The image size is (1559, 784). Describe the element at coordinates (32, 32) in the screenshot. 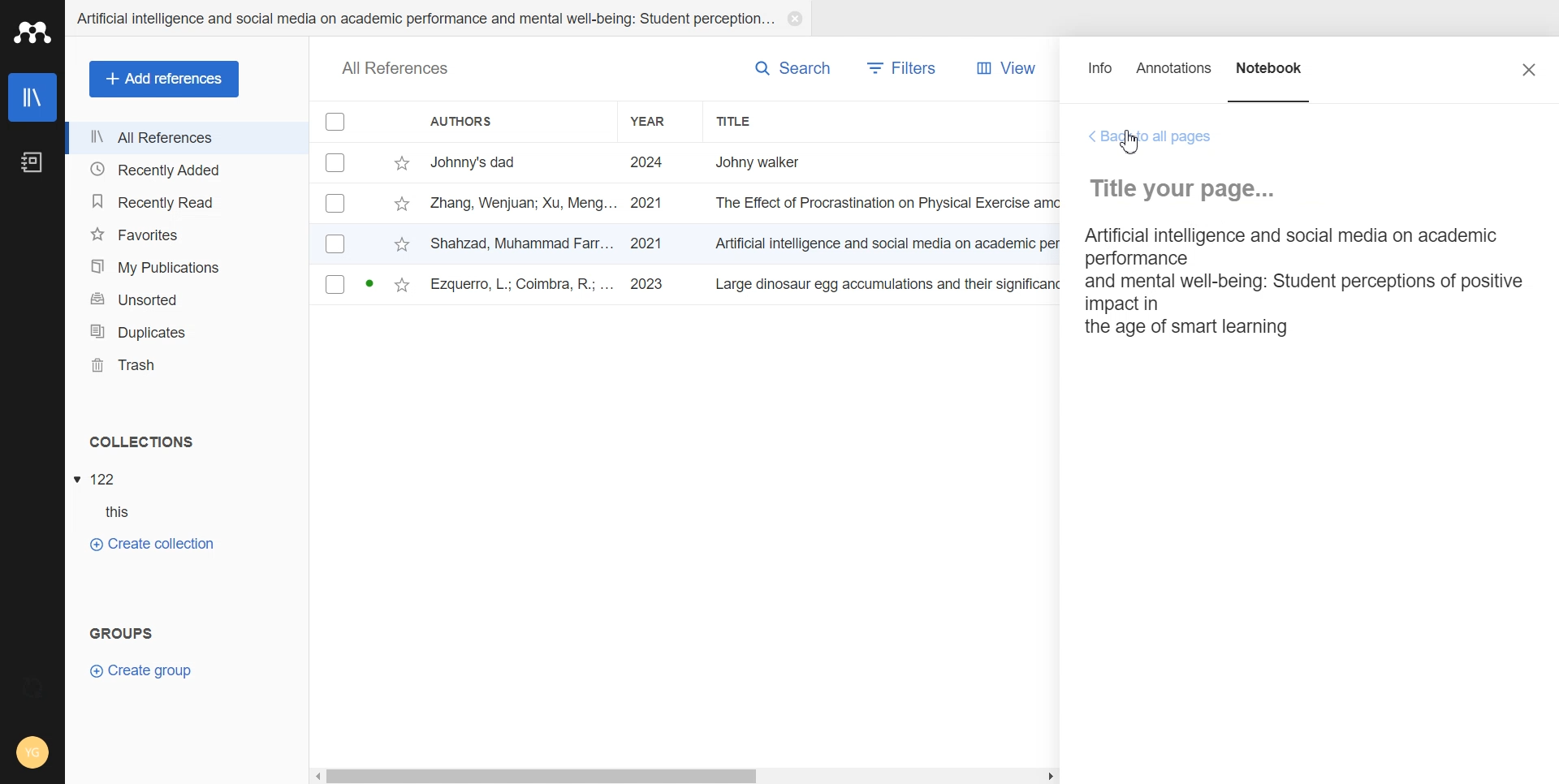

I see `Logo` at that location.